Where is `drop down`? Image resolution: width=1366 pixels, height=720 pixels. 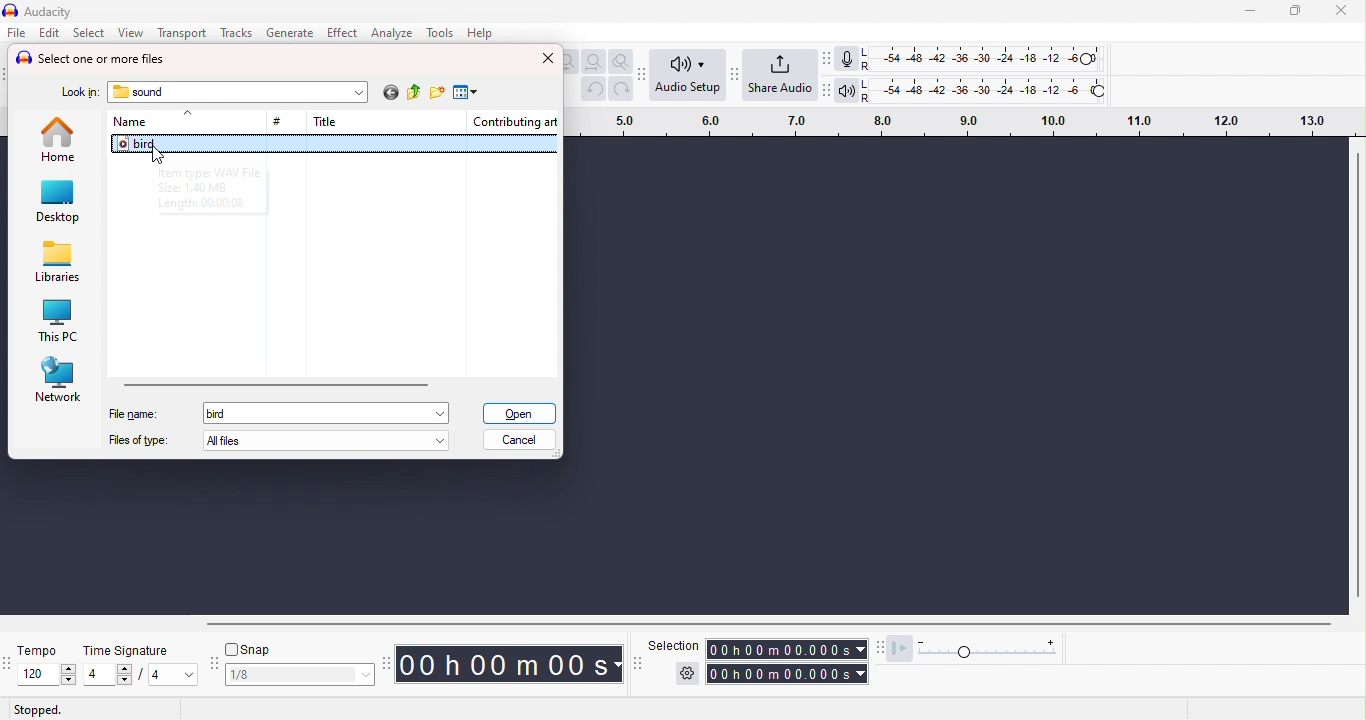 drop down is located at coordinates (186, 114).